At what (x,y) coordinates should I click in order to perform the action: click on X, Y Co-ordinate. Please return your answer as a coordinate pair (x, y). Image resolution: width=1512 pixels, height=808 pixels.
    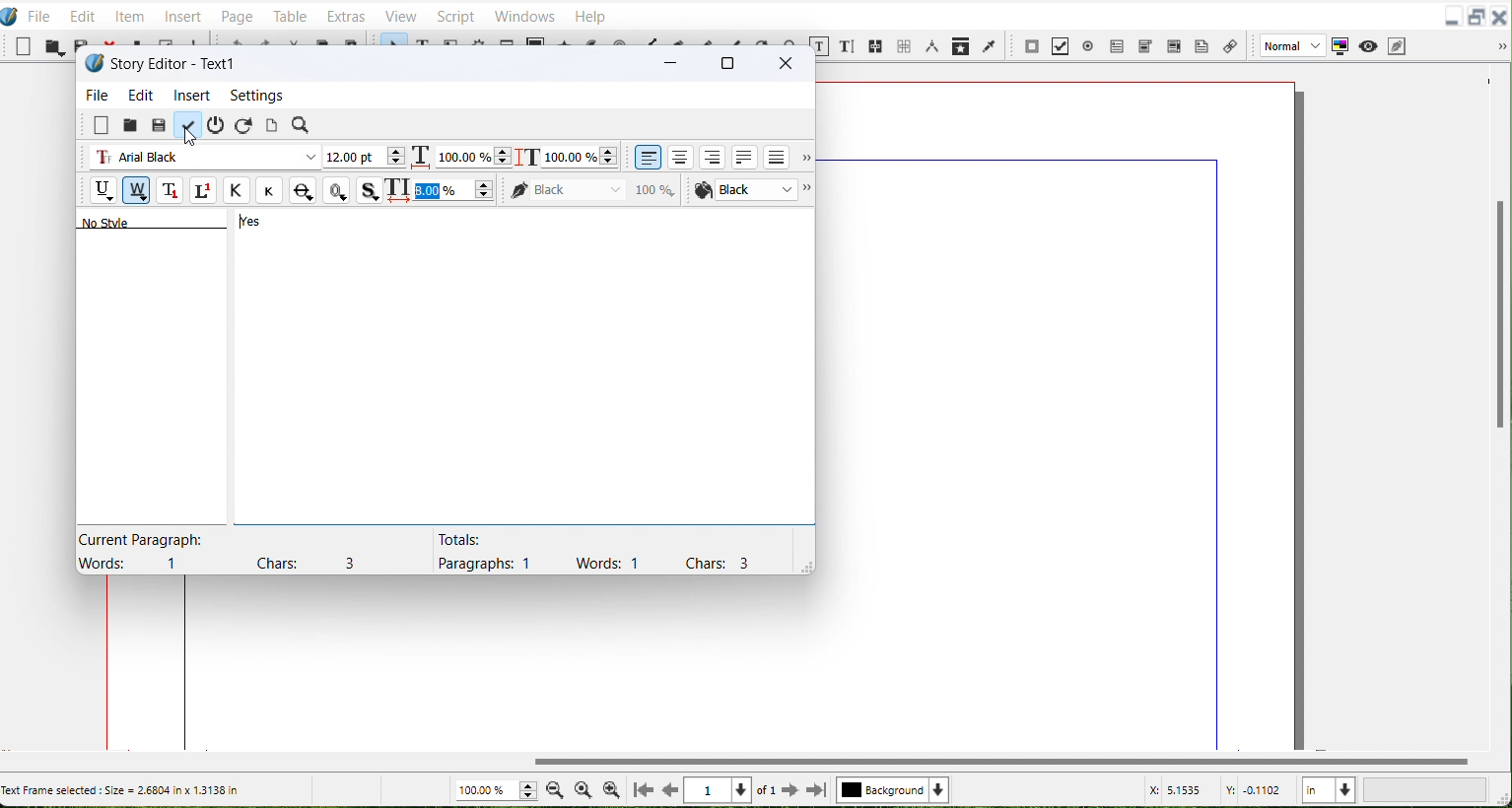
    Looking at the image, I should click on (1218, 790).